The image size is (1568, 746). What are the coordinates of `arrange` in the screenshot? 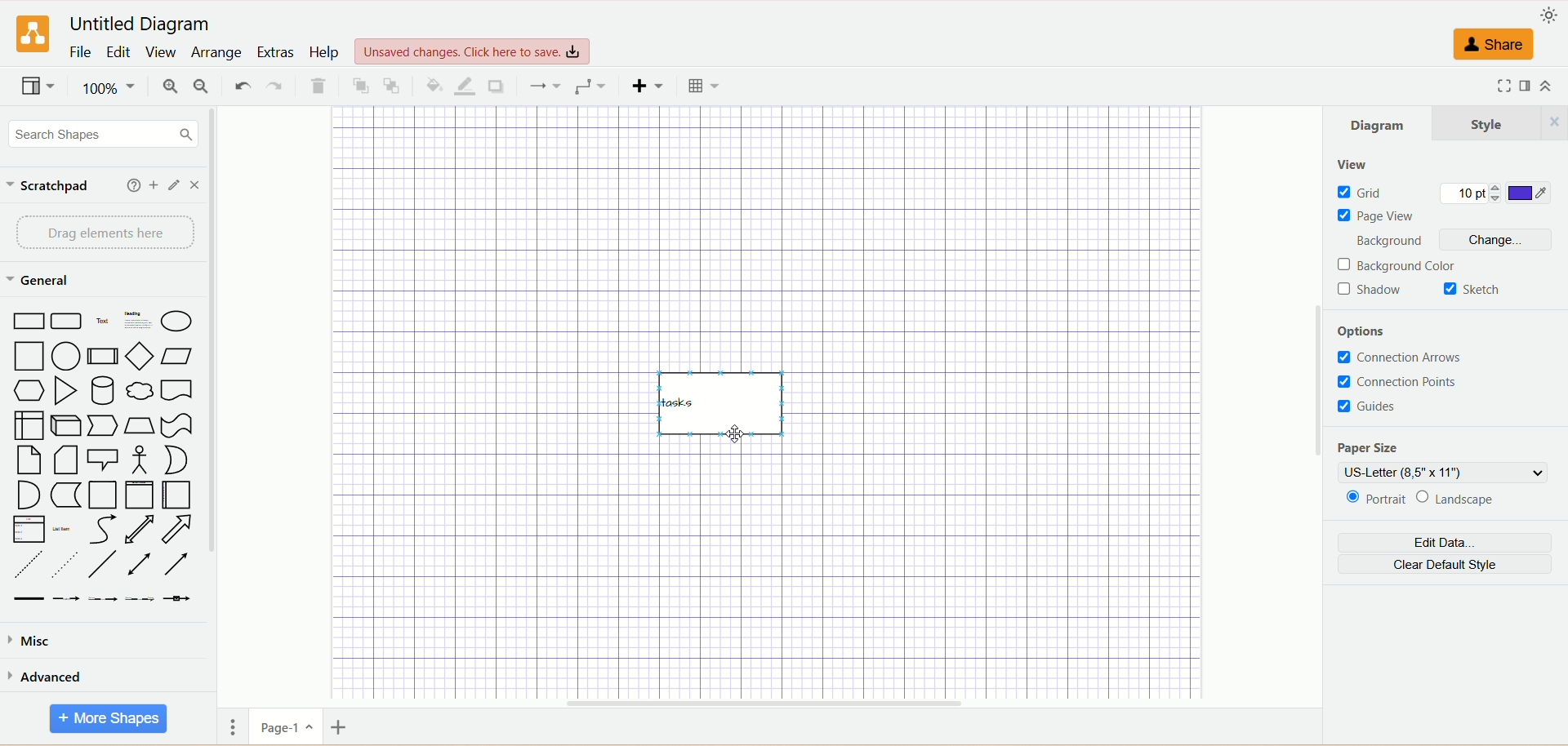 It's located at (216, 52).